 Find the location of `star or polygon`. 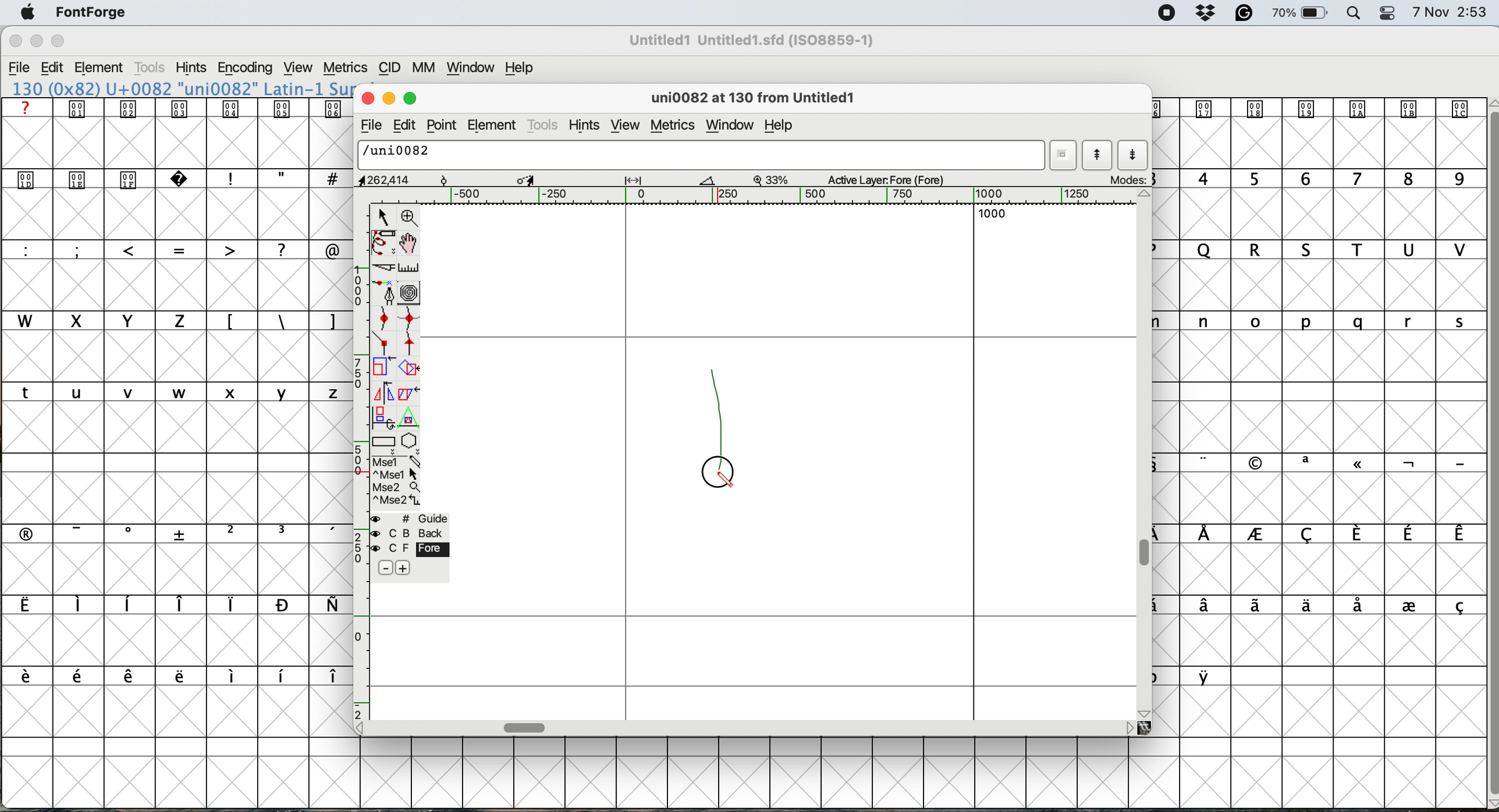

star or polygon is located at coordinates (409, 443).